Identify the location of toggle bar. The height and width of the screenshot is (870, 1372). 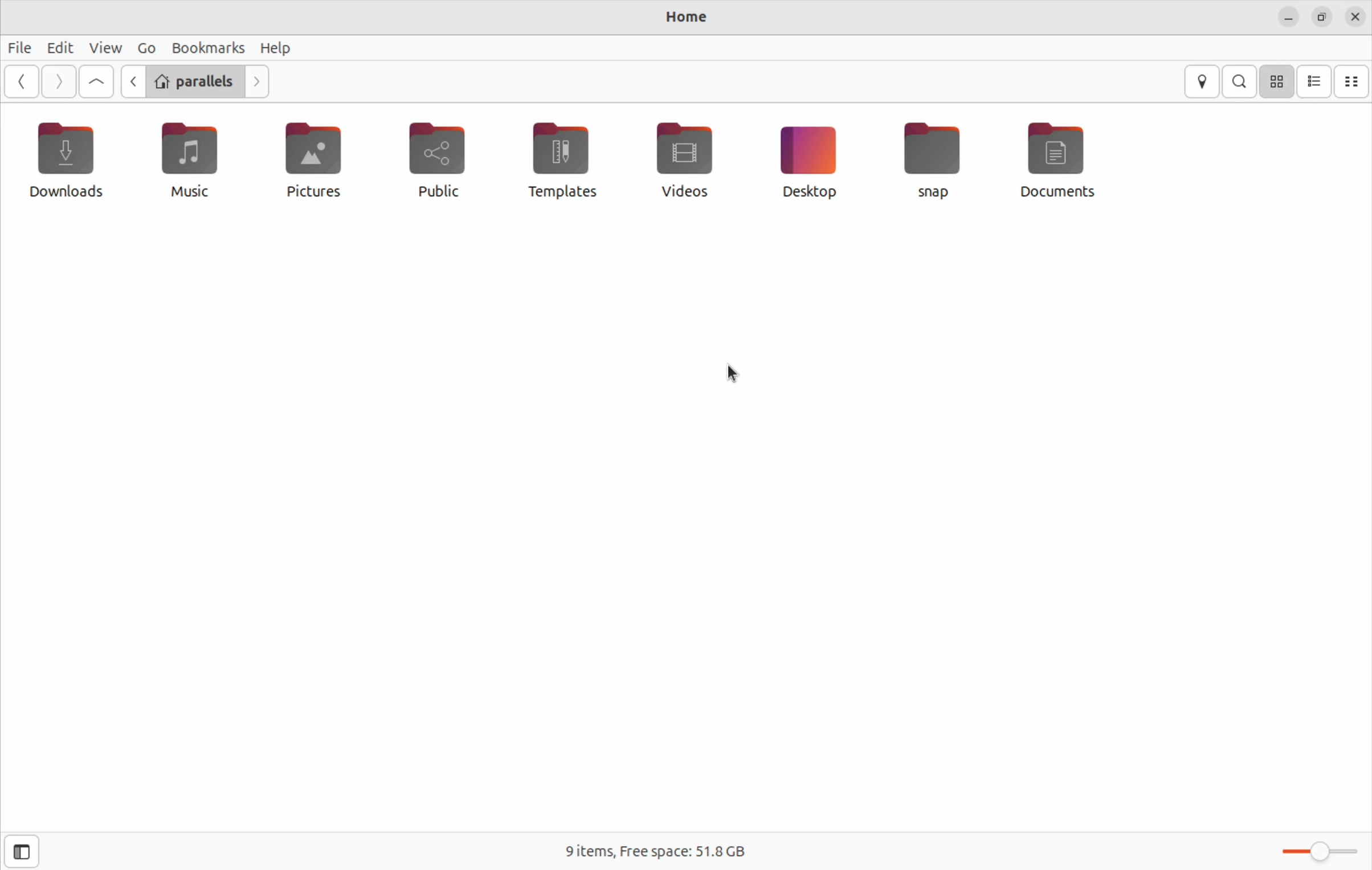
(1322, 847).